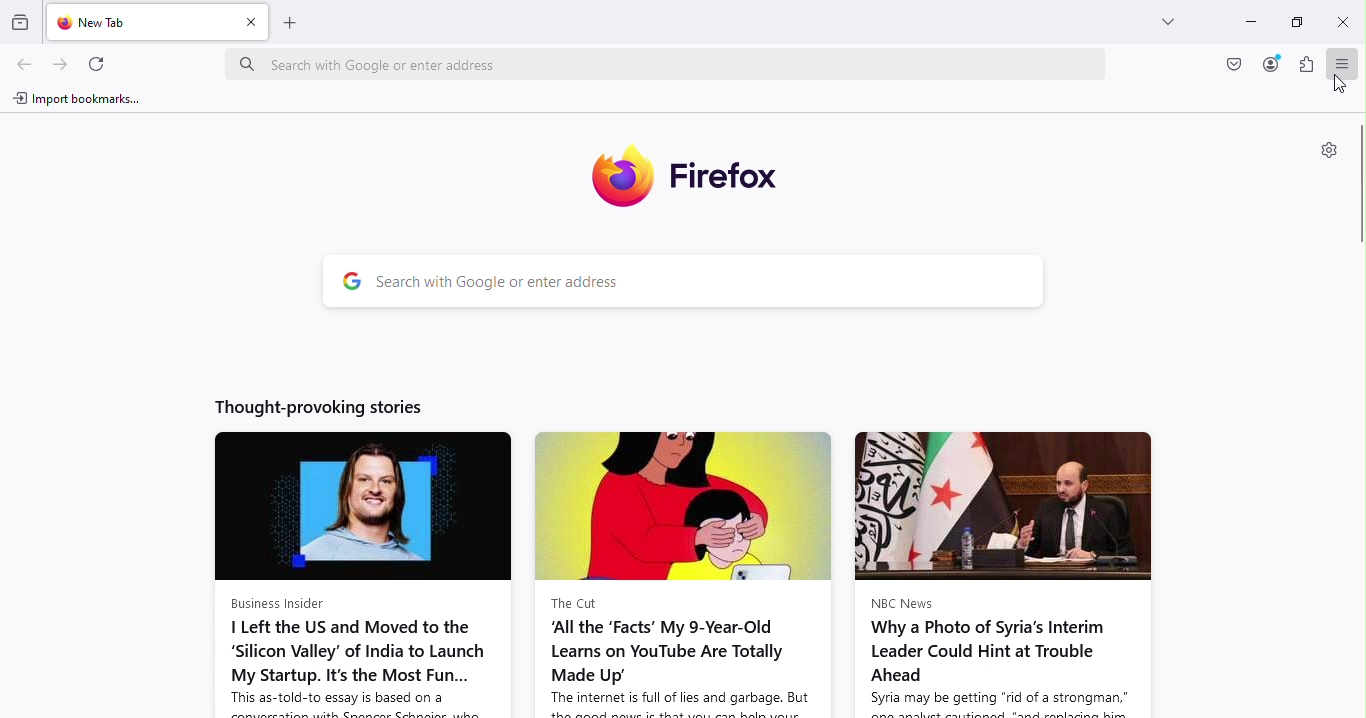  What do you see at coordinates (1325, 151) in the screenshot?
I see `Personalize new tab` at bounding box center [1325, 151].